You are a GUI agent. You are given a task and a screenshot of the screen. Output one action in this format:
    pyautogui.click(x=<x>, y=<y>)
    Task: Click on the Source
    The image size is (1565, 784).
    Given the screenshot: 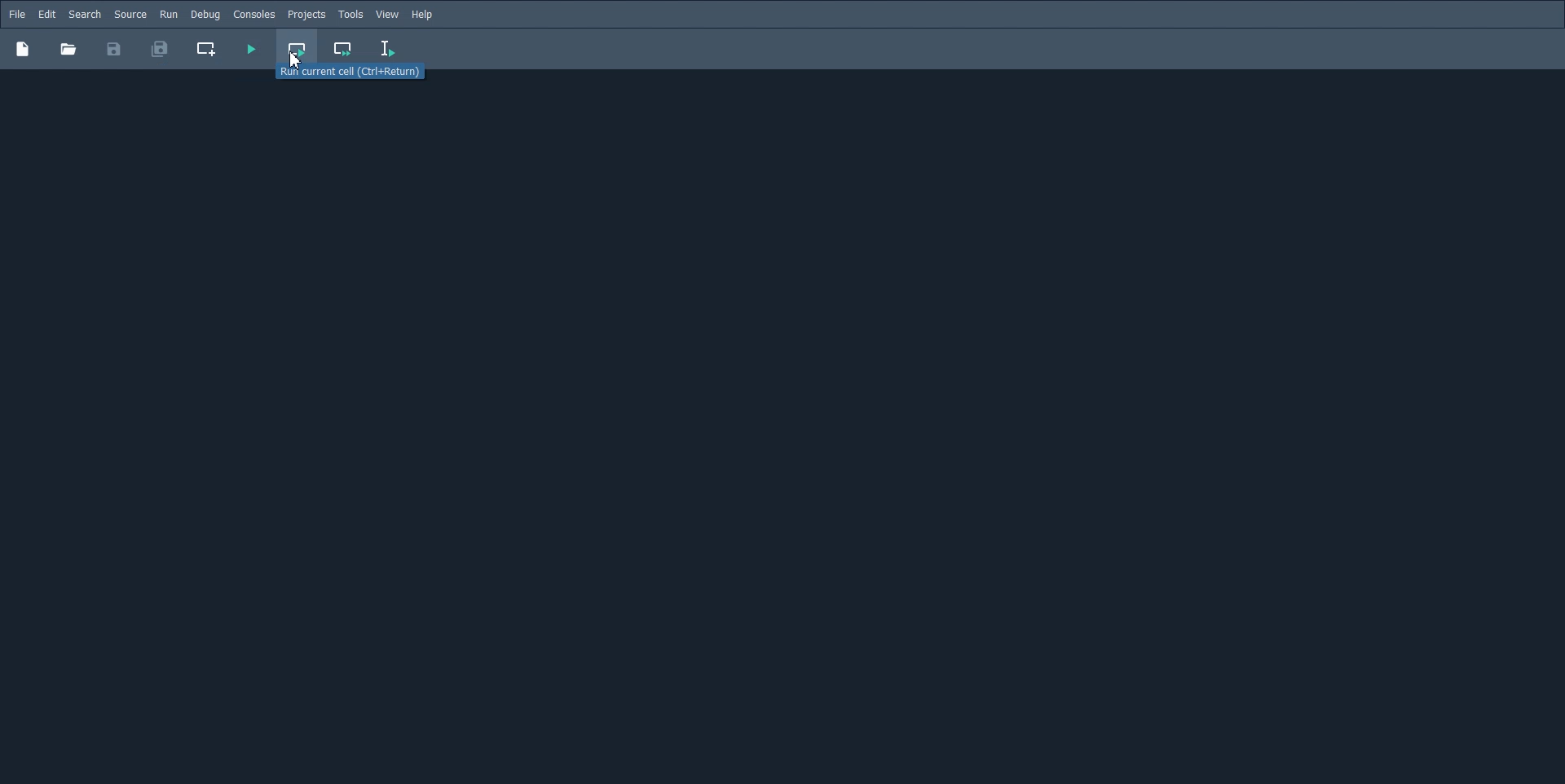 What is the action you would take?
    pyautogui.click(x=130, y=14)
    